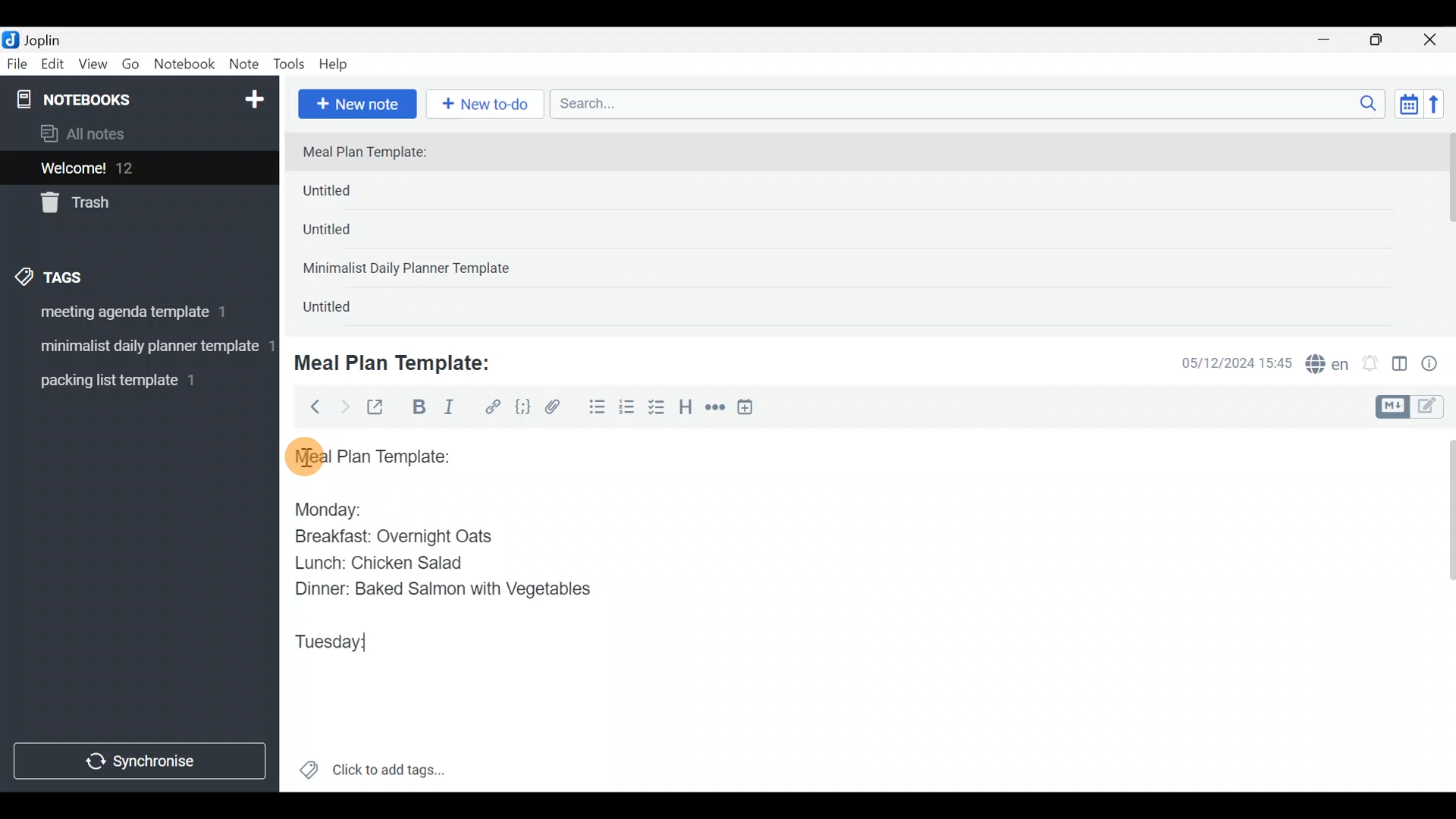 Image resolution: width=1456 pixels, height=819 pixels. Describe the element at coordinates (439, 588) in the screenshot. I see `Dinner: Baked Salmon with Vegetables` at that location.